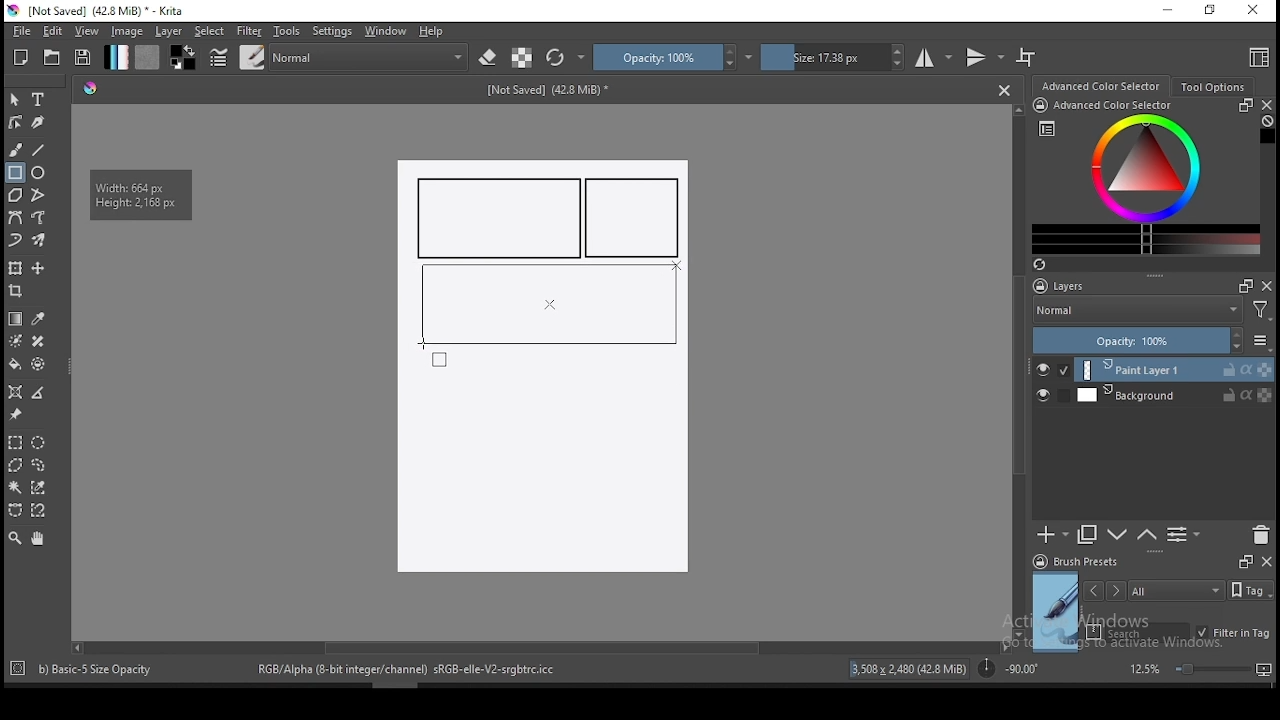 The width and height of the screenshot is (1280, 720). Describe the element at coordinates (1245, 561) in the screenshot. I see `Frames` at that location.